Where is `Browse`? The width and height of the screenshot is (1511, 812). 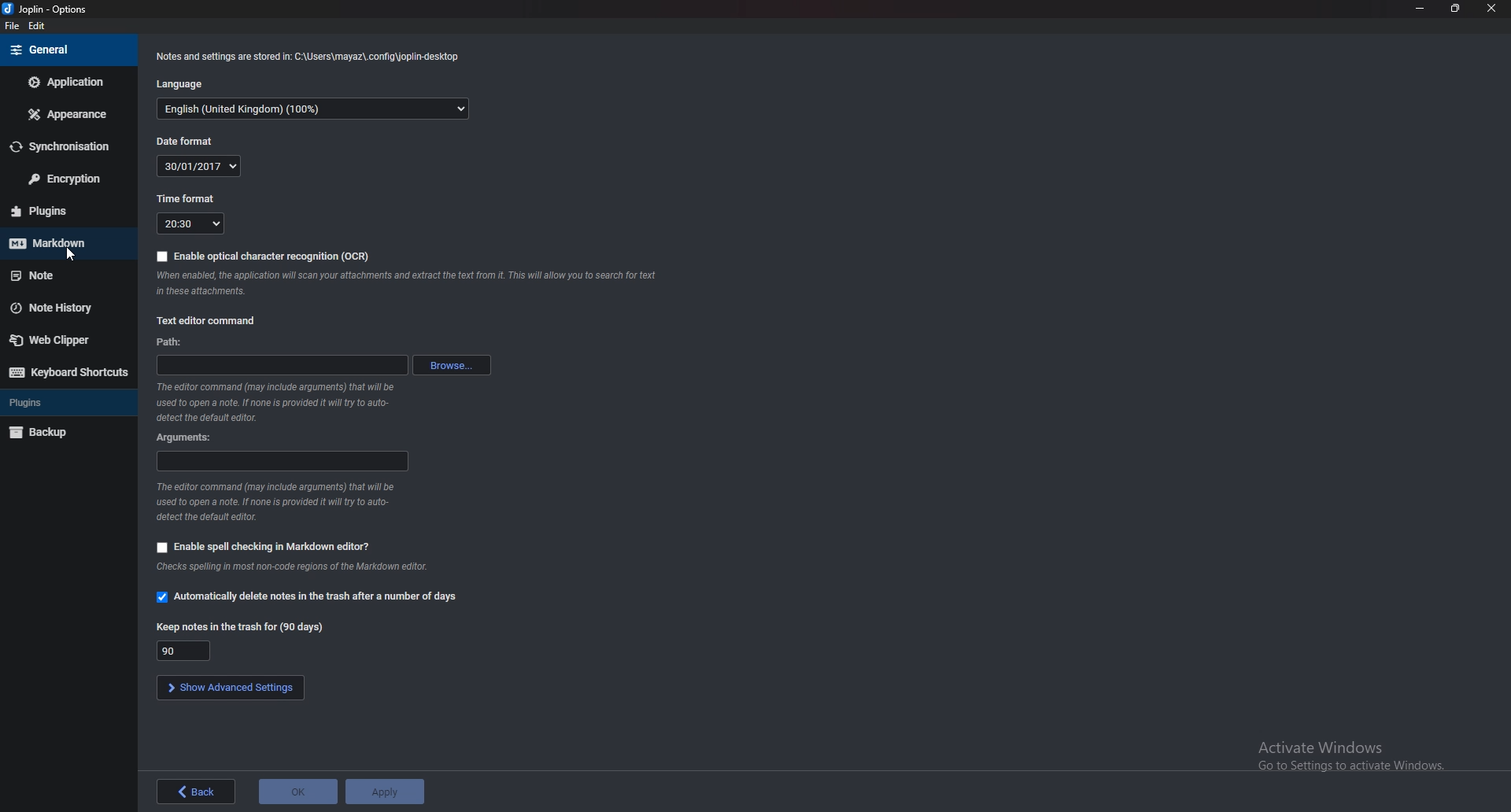
Browse is located at coordinates (454, 365).